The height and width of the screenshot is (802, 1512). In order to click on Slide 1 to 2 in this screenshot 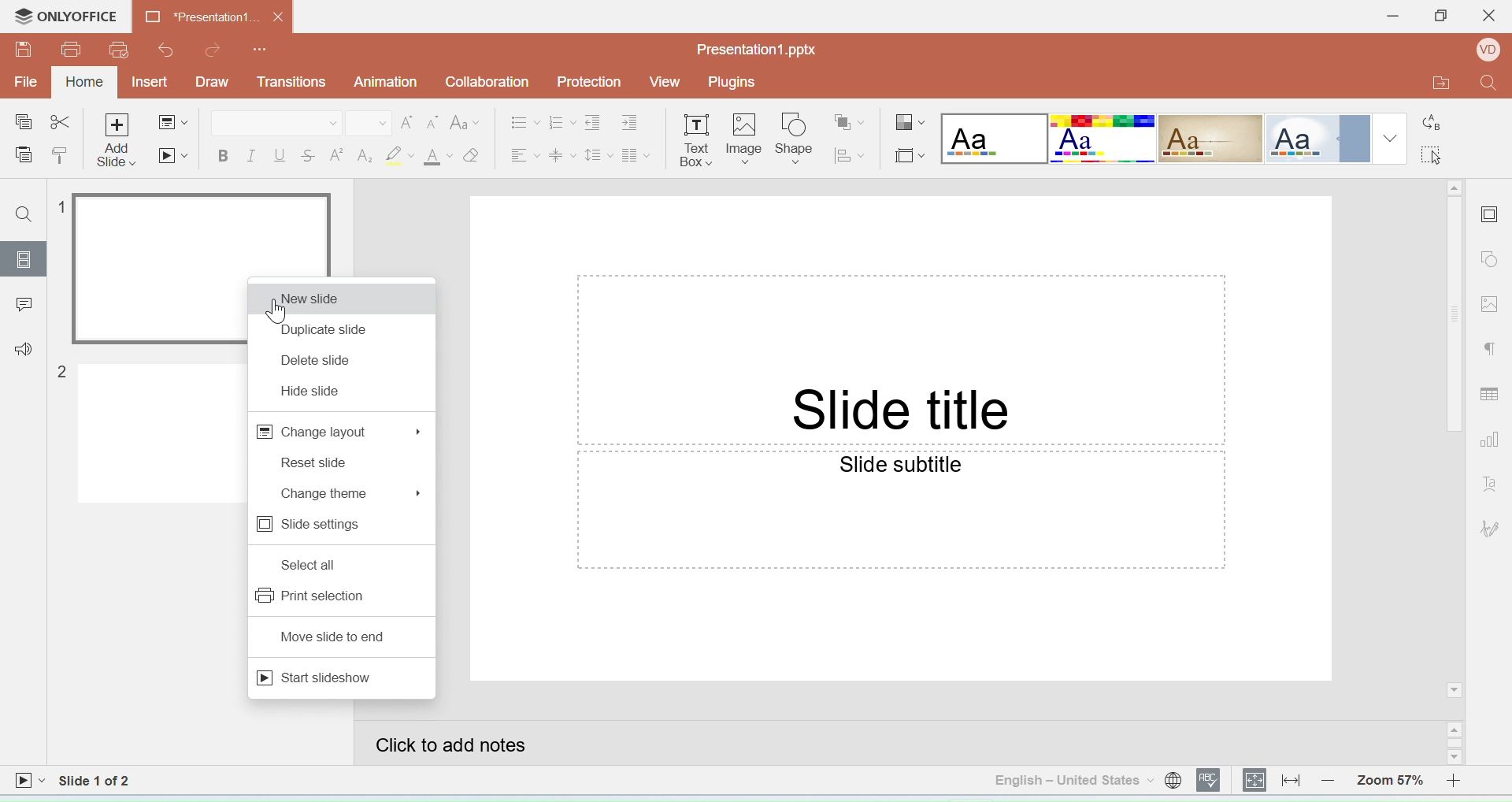, I will do `click(96, 781)`.